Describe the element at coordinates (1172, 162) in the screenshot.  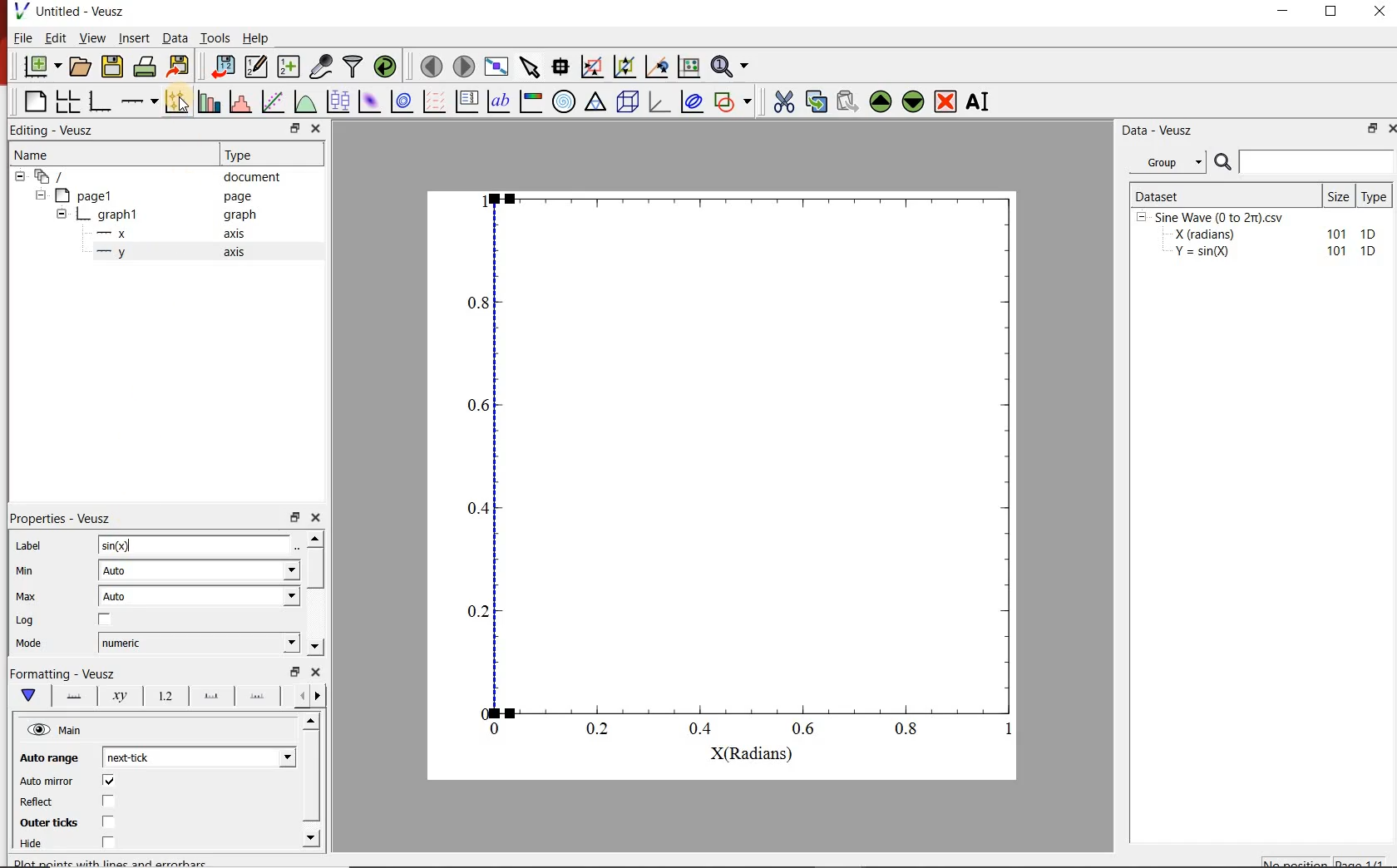
I see `Group` at that location.